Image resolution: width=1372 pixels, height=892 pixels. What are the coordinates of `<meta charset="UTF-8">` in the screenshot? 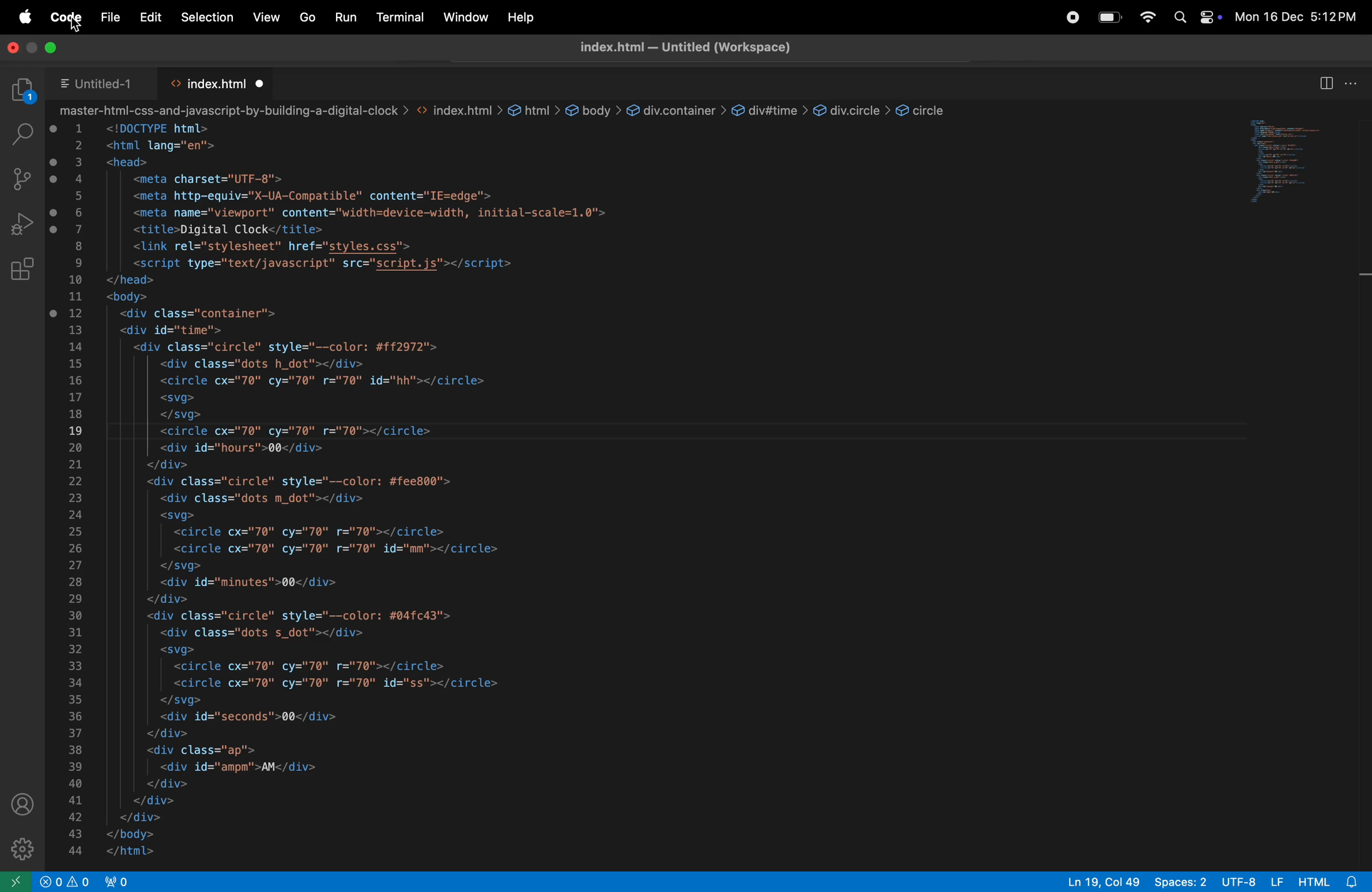 It's located at (208, 179).